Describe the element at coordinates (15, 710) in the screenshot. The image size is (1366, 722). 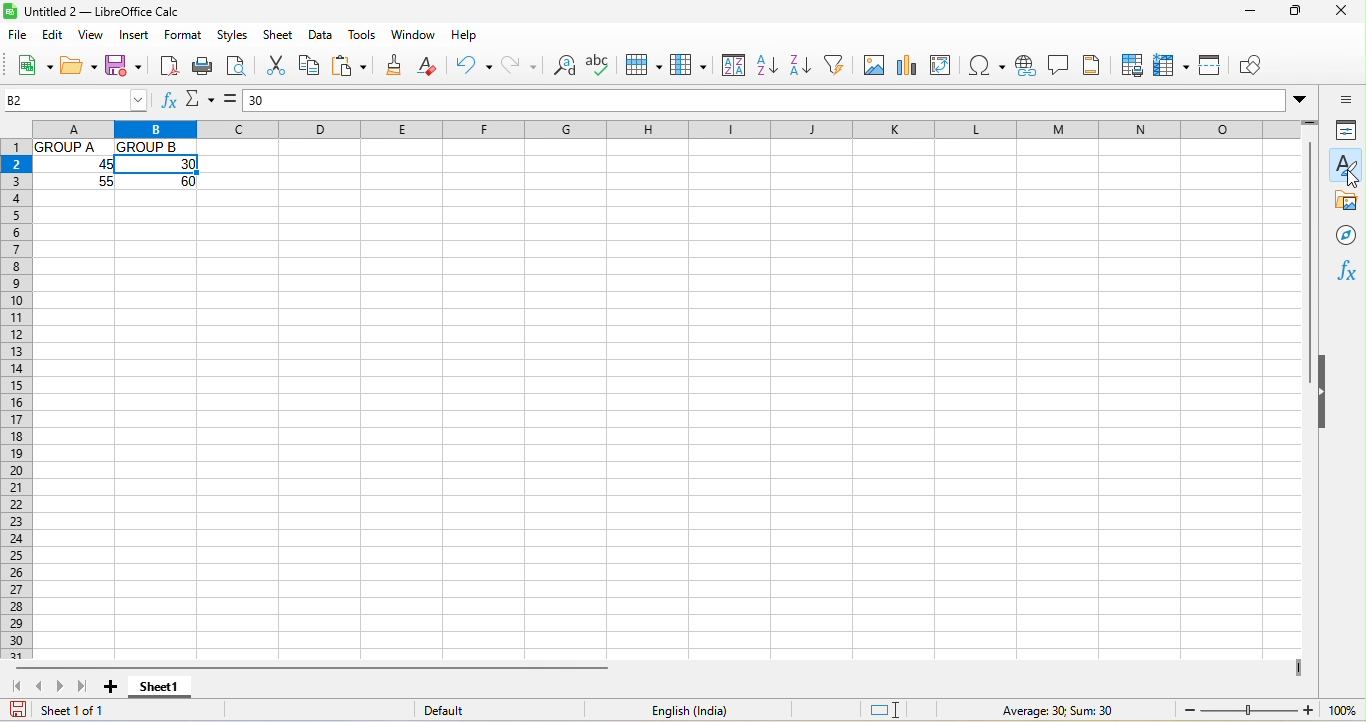
I see `save` at that location.